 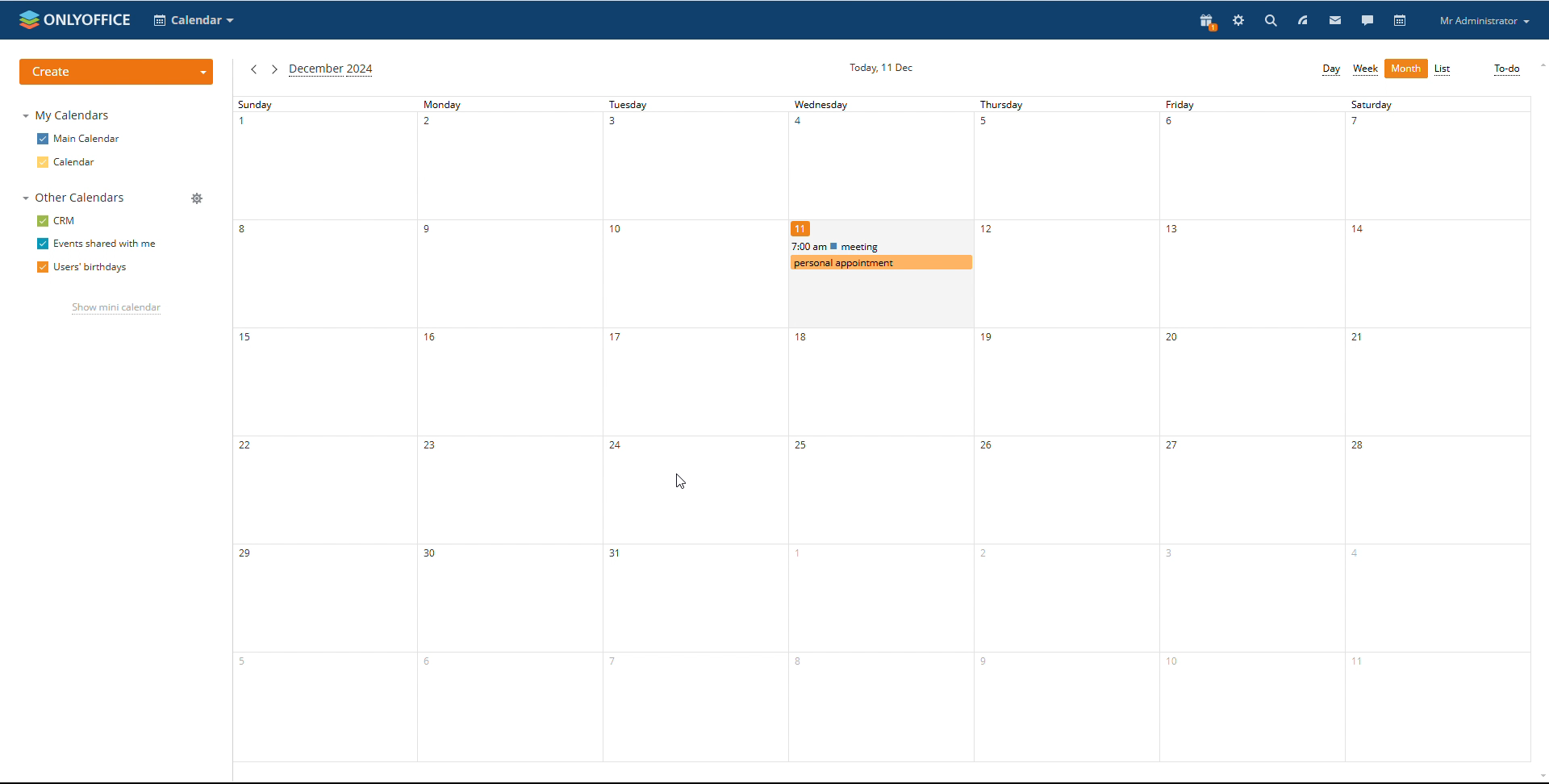 I want to click on settings, so click(x=1239, y=21).